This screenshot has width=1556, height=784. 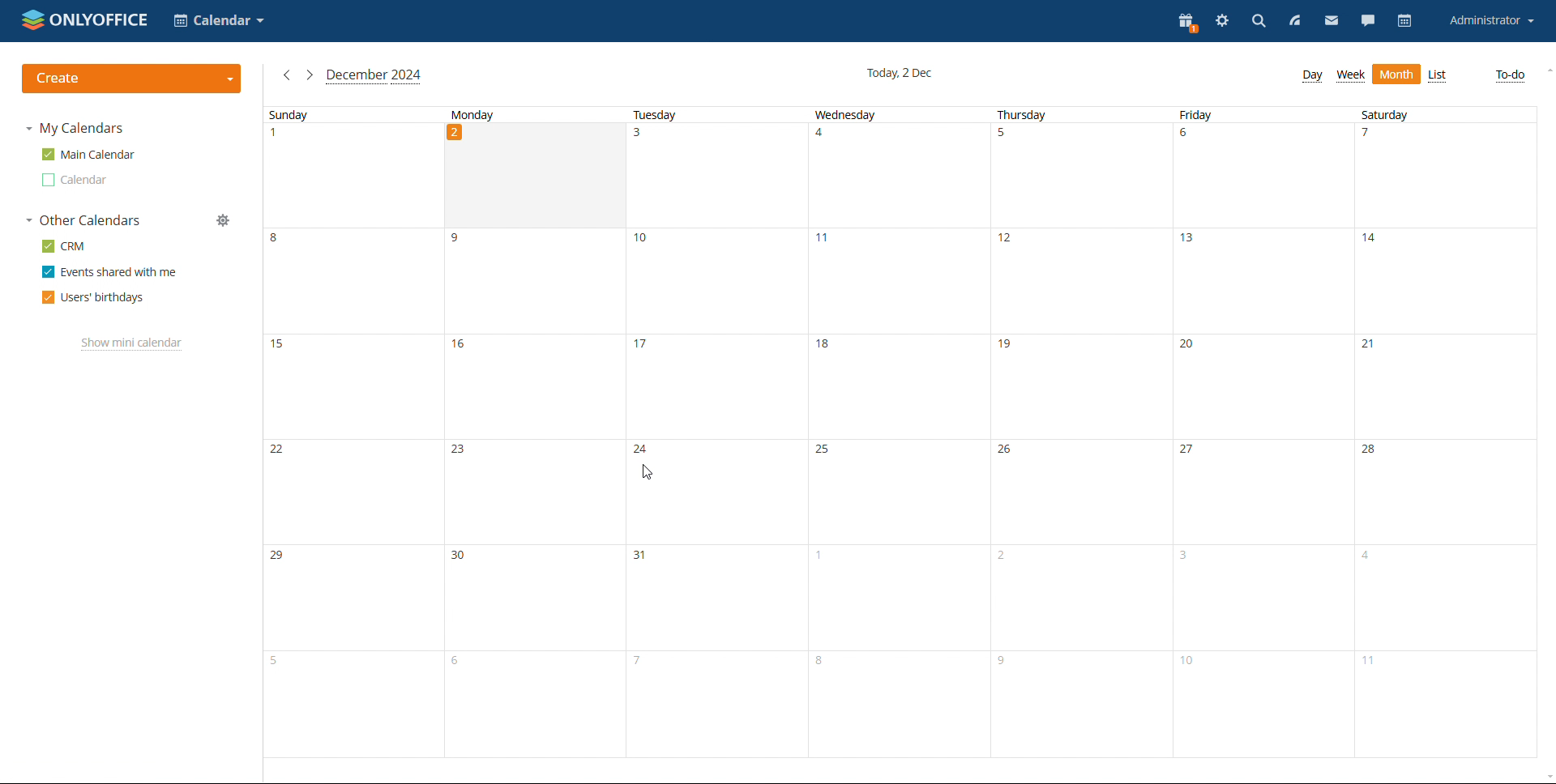 What do you see at coordinates (643, 343) in the screenshot?
I see `17` at bounding box center [643, 343].